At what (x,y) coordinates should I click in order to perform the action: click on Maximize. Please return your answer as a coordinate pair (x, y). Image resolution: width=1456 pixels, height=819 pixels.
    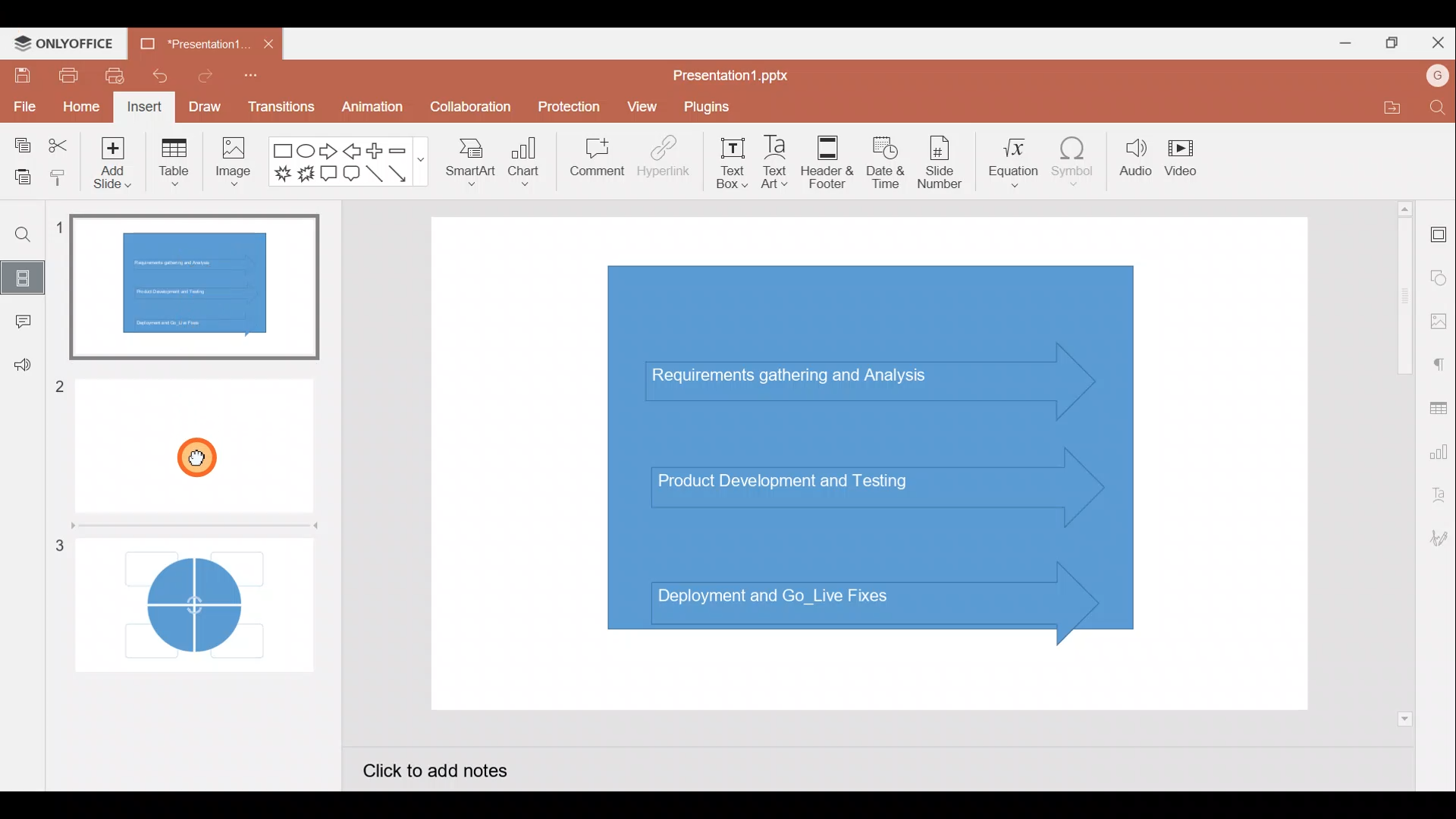
    Looking at the image, I should click on (1395, 41).